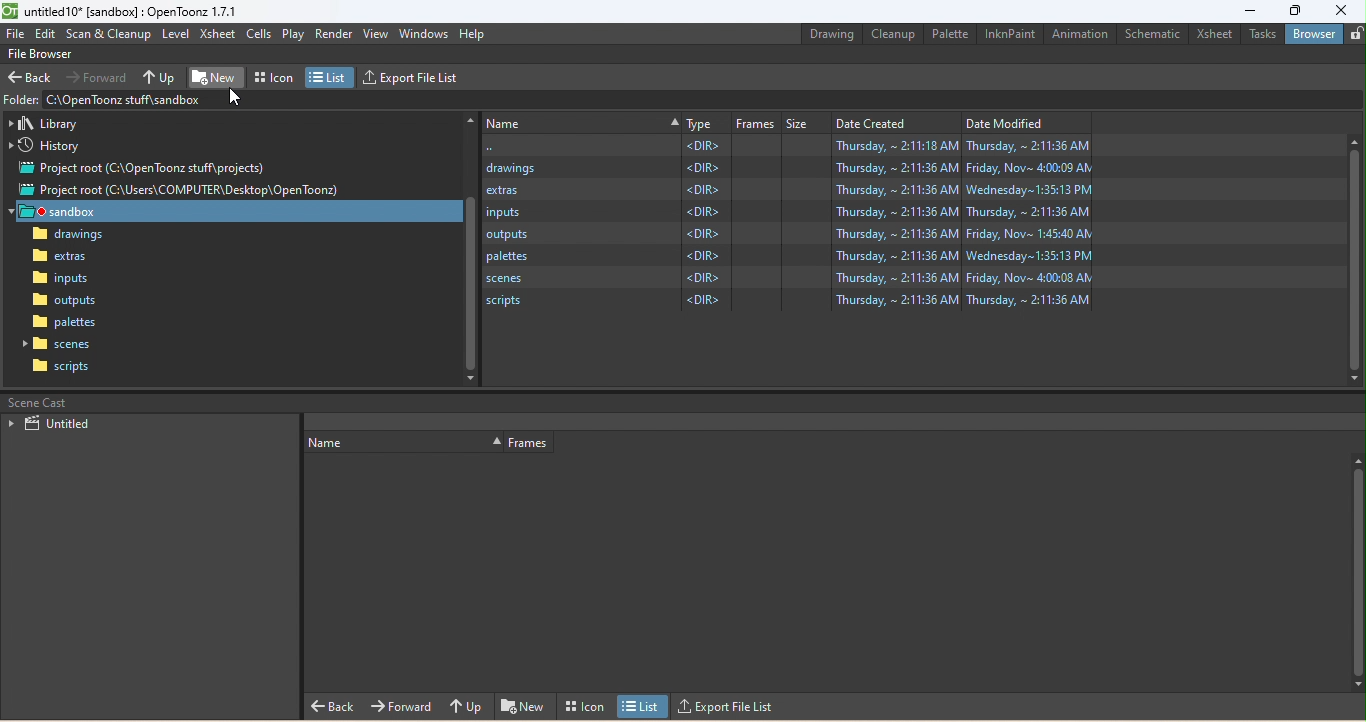 The width and height of the screenshot is (1366, 722). Describe the element at coordinates (1356, 569) in the screenshot. I see `Vertical scrol bar` at that location.